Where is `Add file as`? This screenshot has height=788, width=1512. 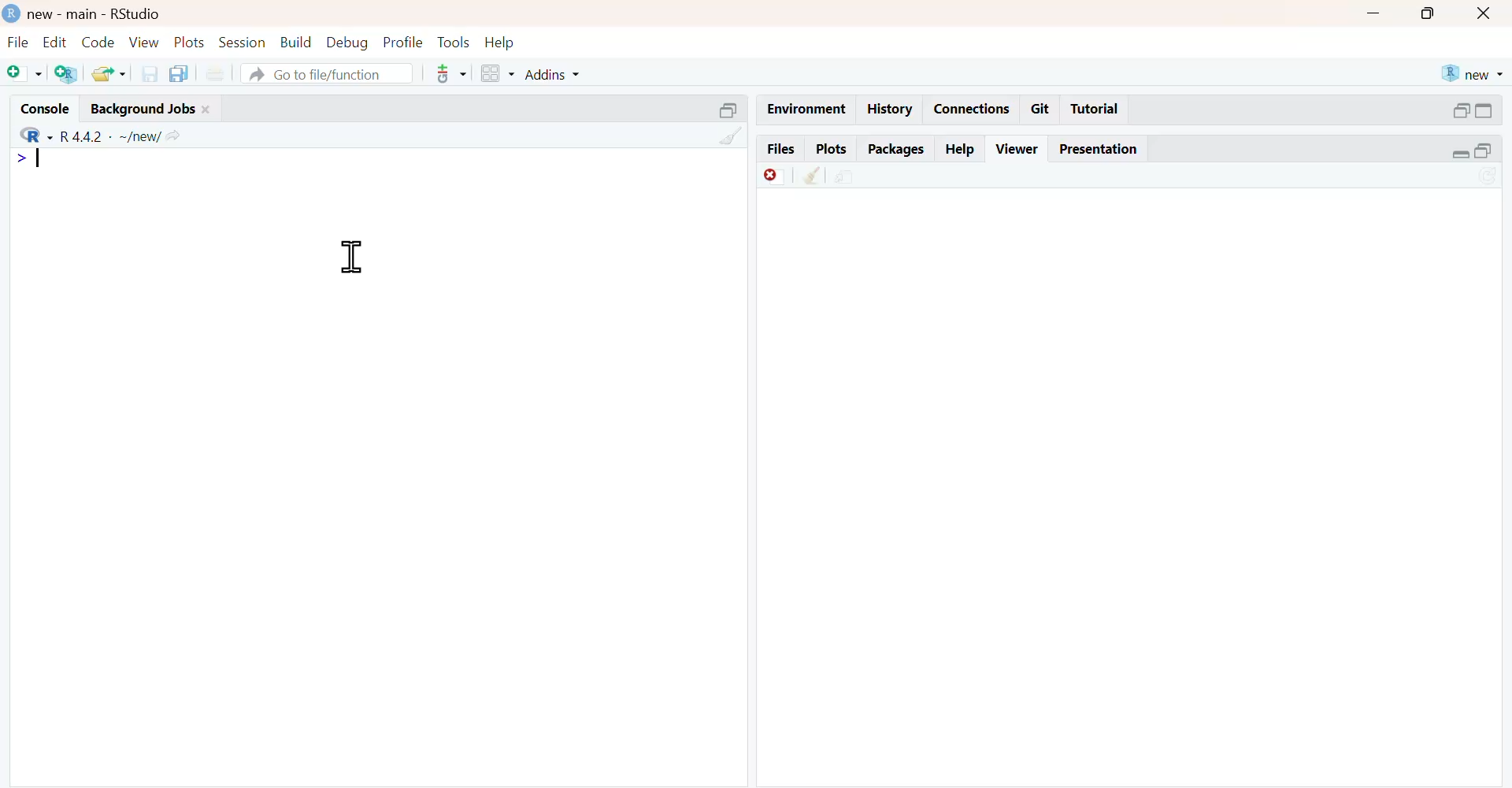
Add file as is located at coordinates (24, 72).